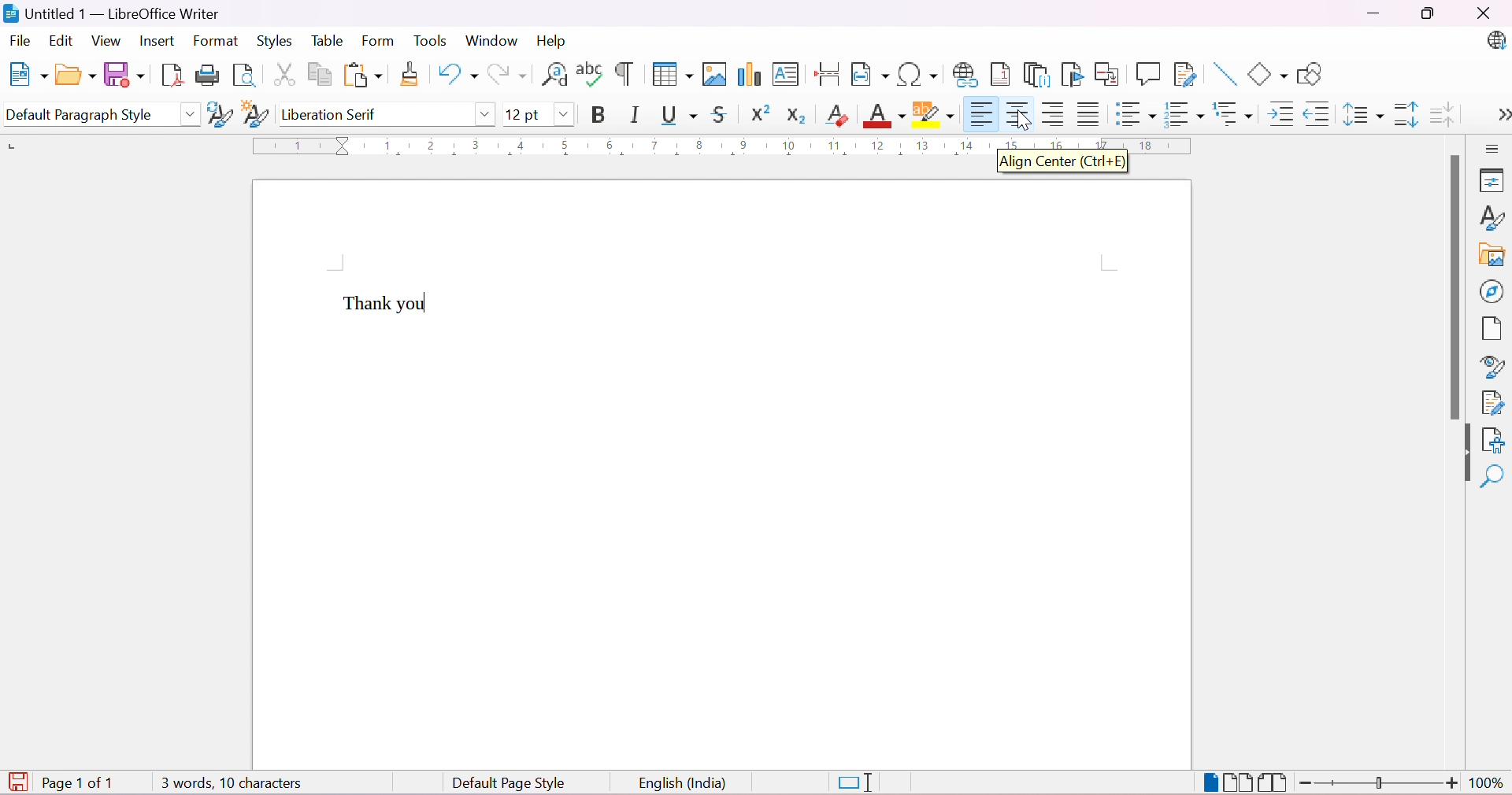 Image resolution: width=1512 pixels, height=795 pixels. I want to click on Drop Down, so click(190, 113).